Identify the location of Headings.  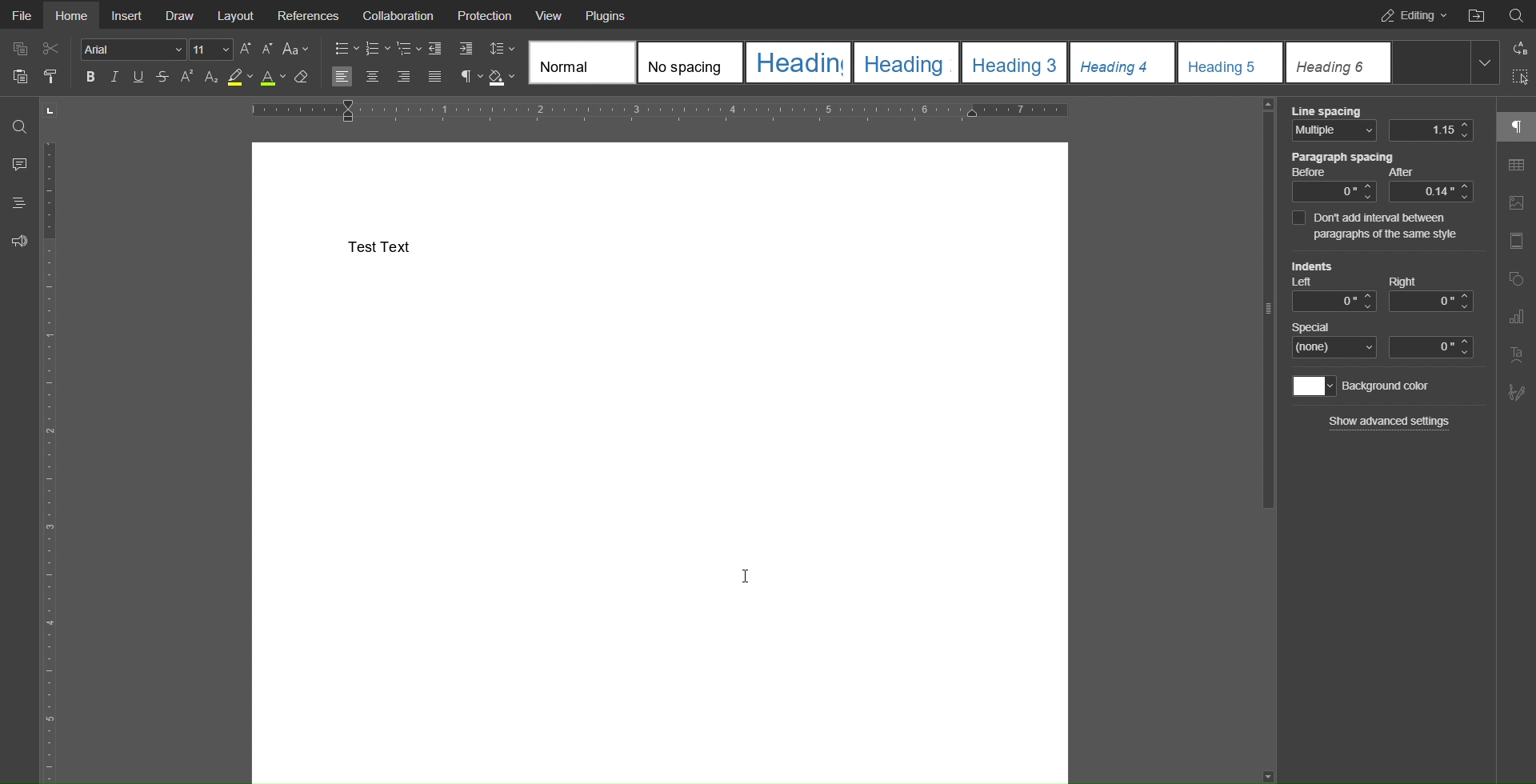
(18, 202).